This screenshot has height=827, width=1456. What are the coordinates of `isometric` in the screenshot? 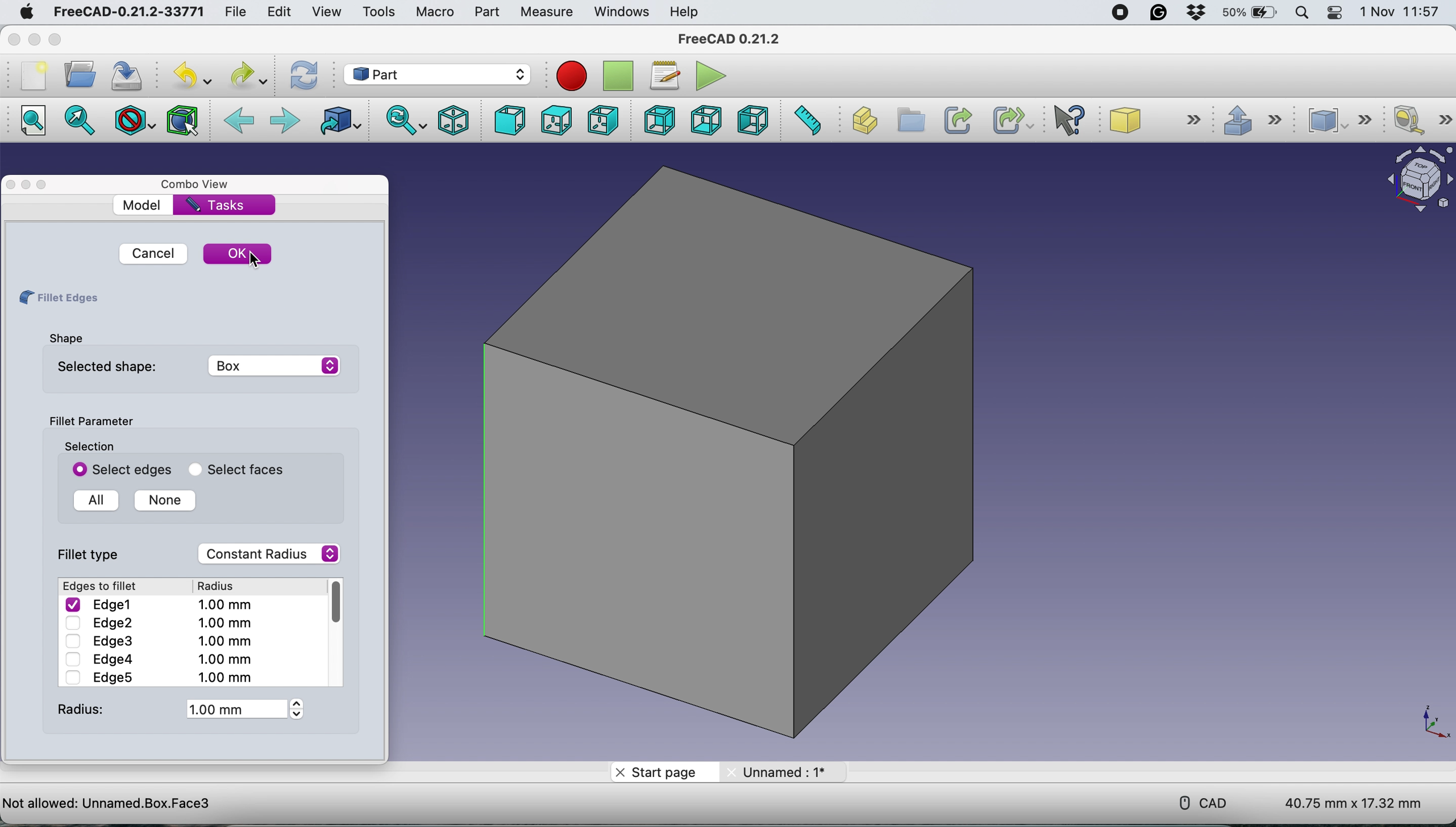 It's located at (449, 121).